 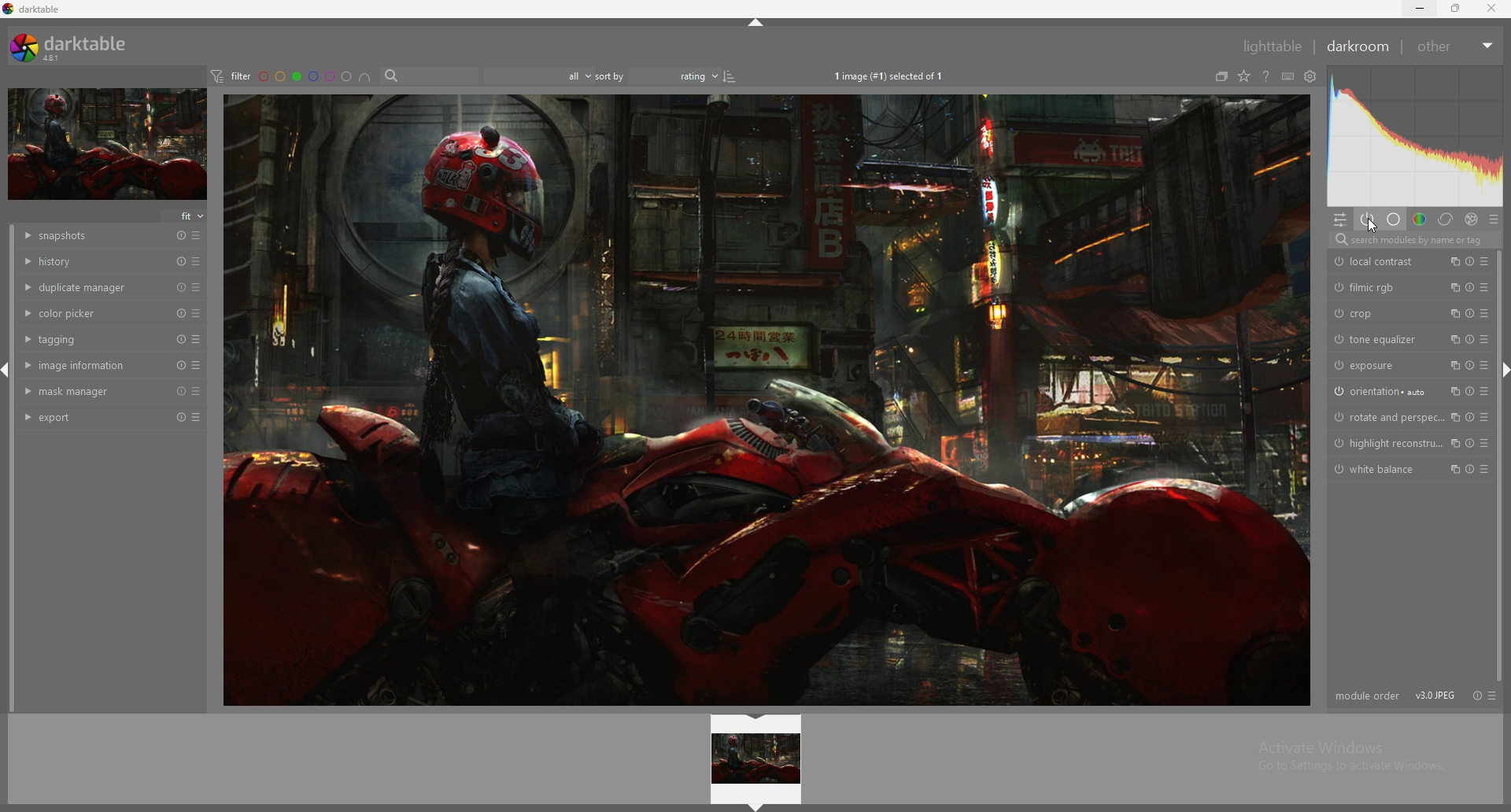 What do you see at coordinates (181, 339) in the screenshot?
I see `reset` at bounding box center [181, 339].